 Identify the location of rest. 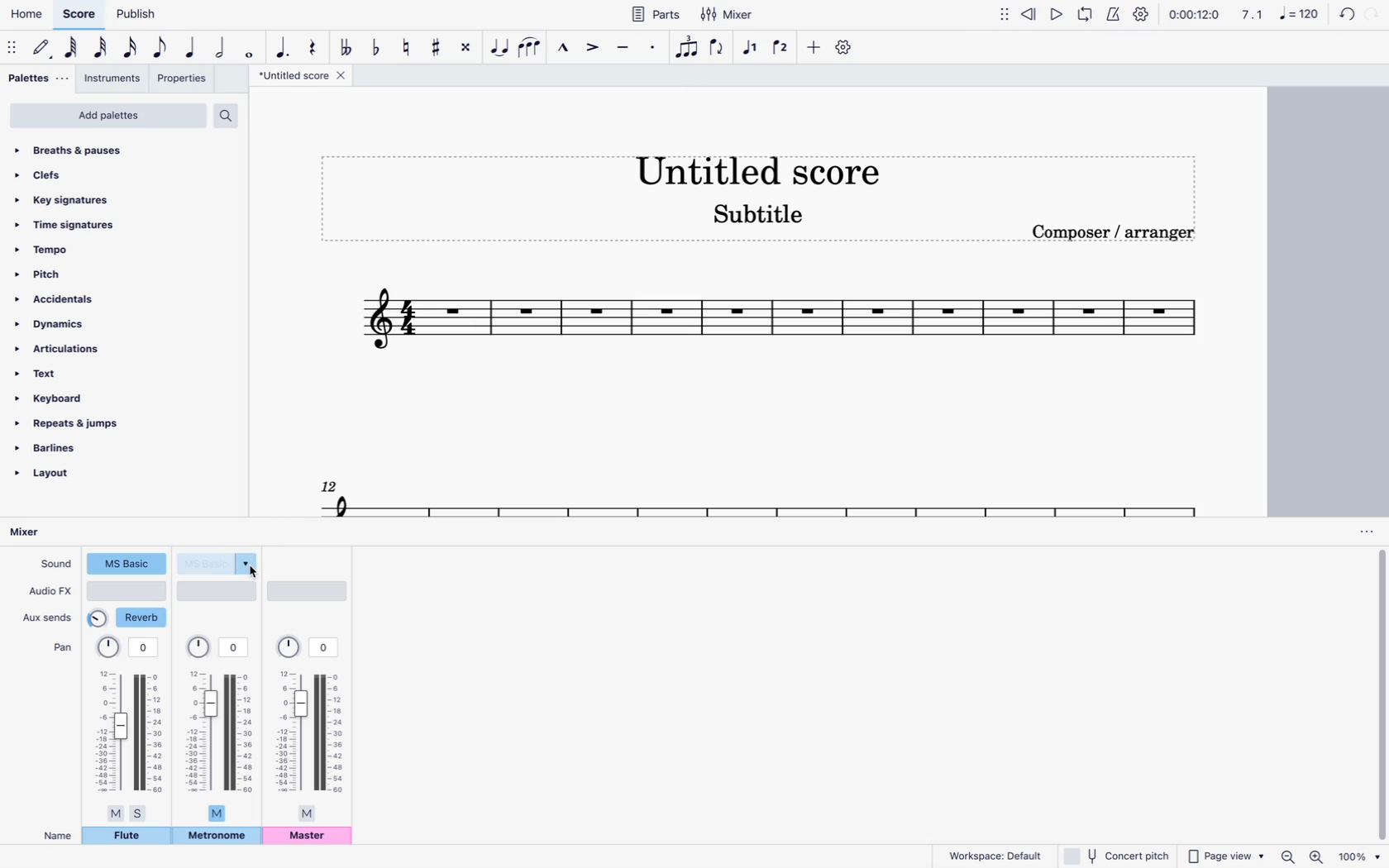
(312, 43).